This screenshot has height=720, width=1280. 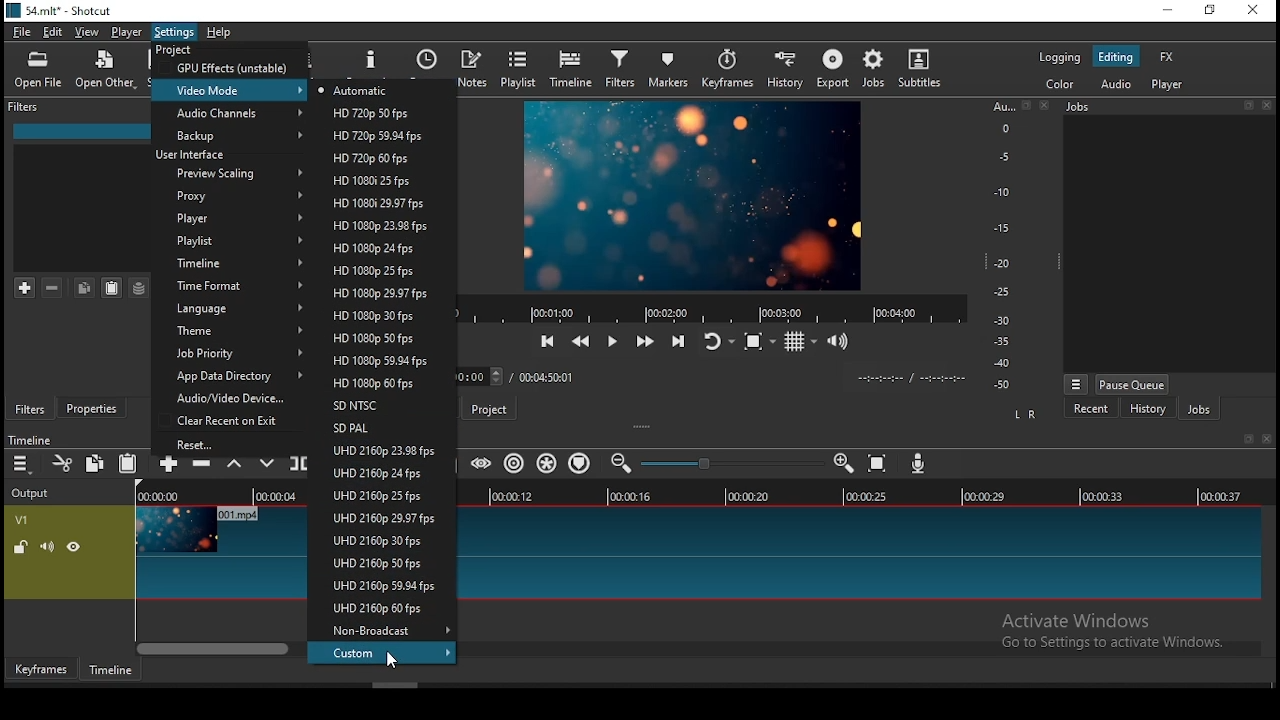 I want to click on resolution option, so click(x=382, y=384).